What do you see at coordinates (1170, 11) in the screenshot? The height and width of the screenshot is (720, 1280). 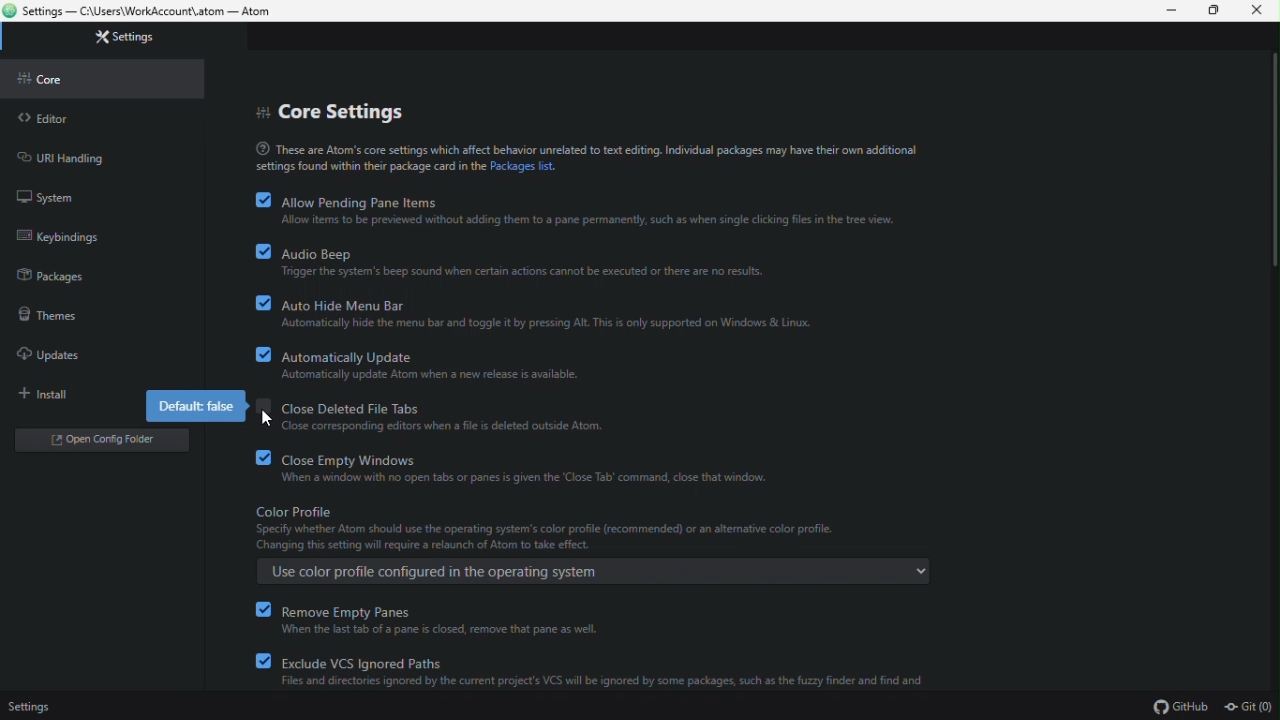 I see `minimize` at bounding box center [1170, 11].